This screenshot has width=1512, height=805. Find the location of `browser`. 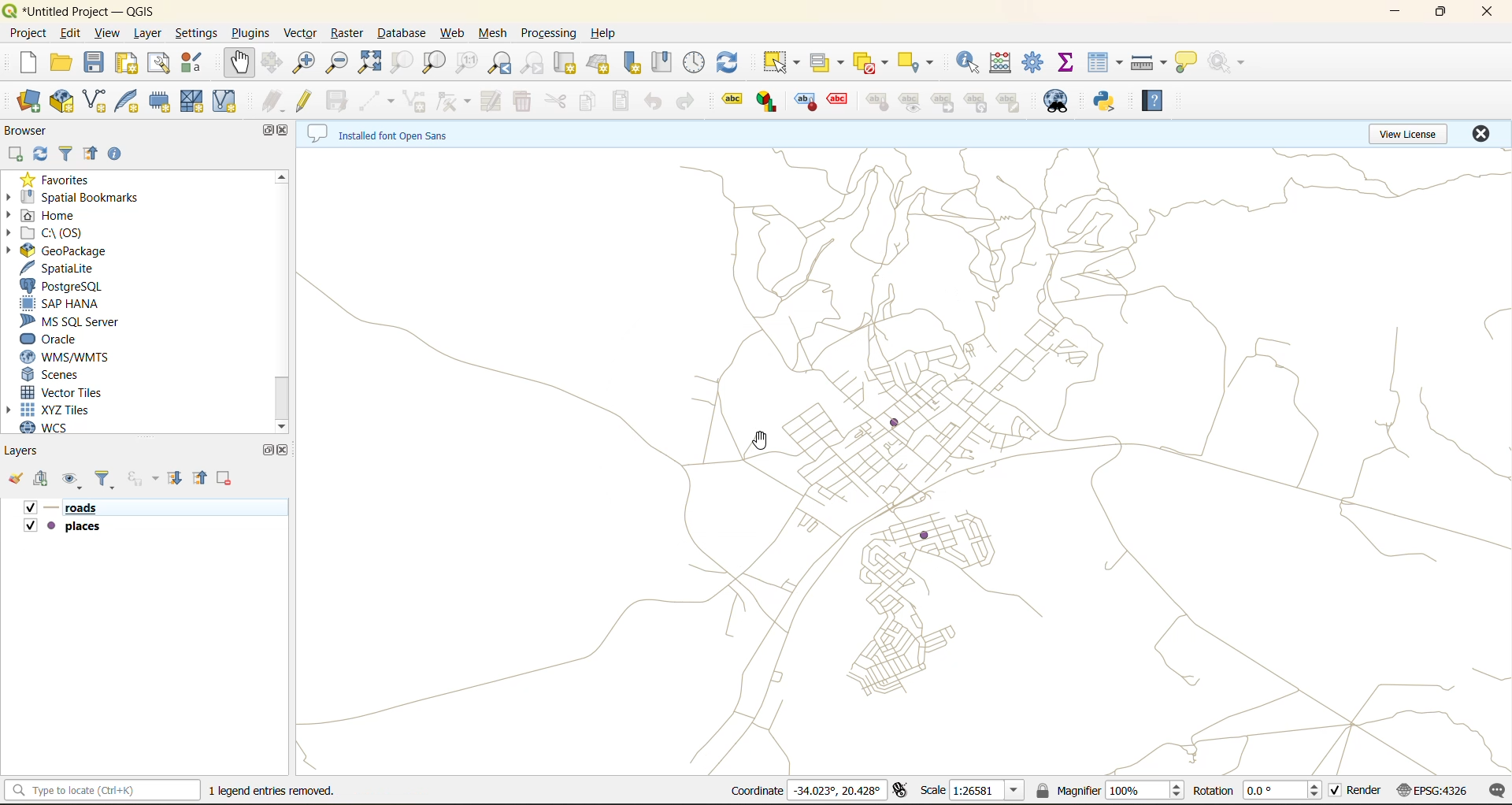

browser is located at coordinates (33, 131).